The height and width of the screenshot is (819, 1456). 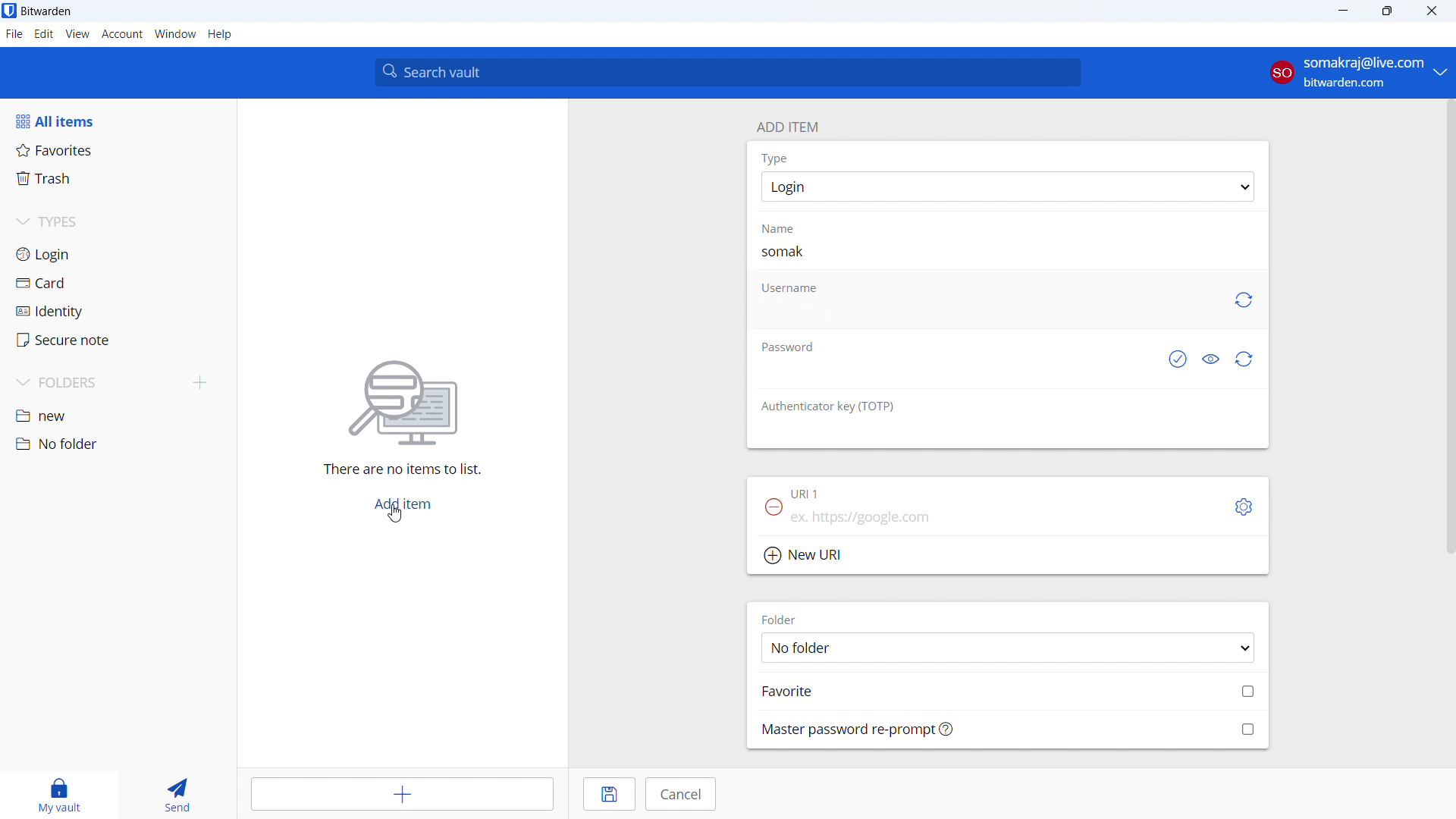 What do you see at coordinates (1432, 11) in the screenshot?
I see `close` at bounding box center [1432, 11].